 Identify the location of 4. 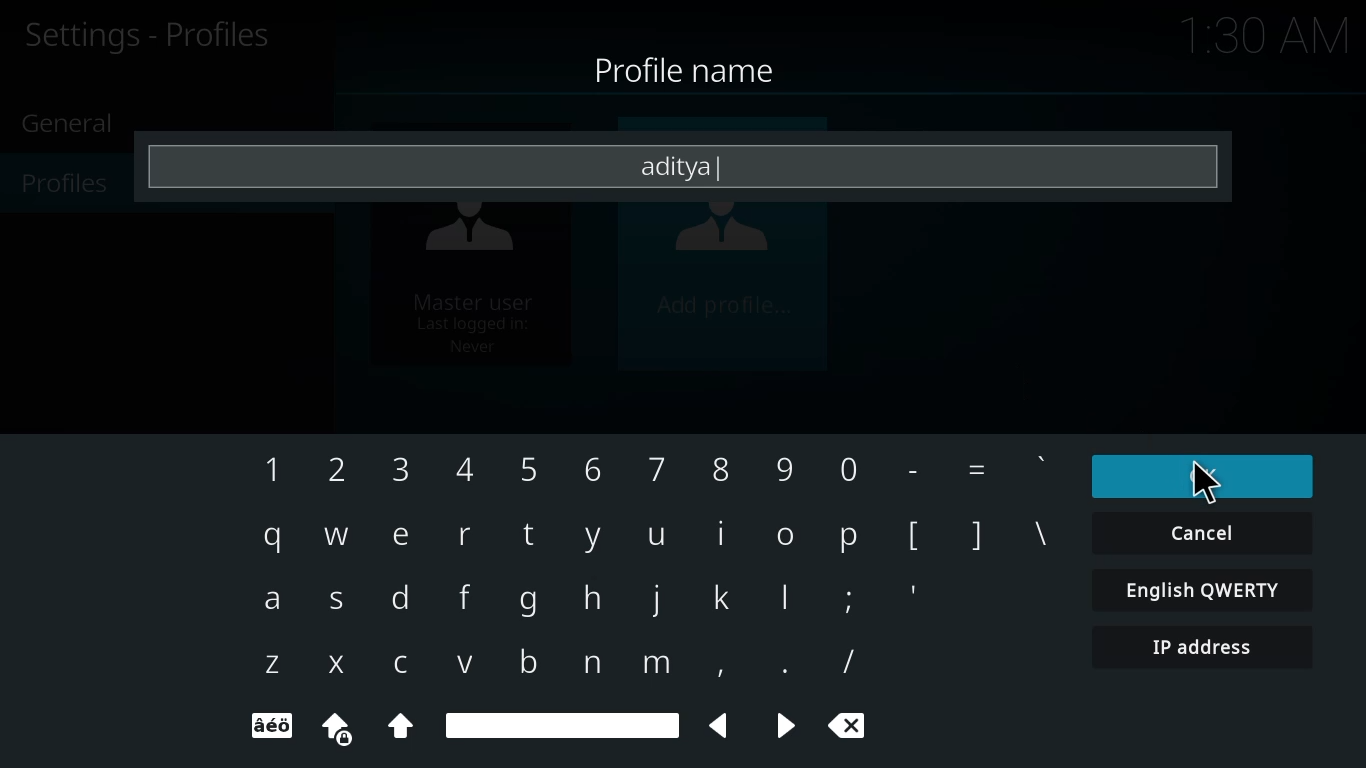
(462, 468).